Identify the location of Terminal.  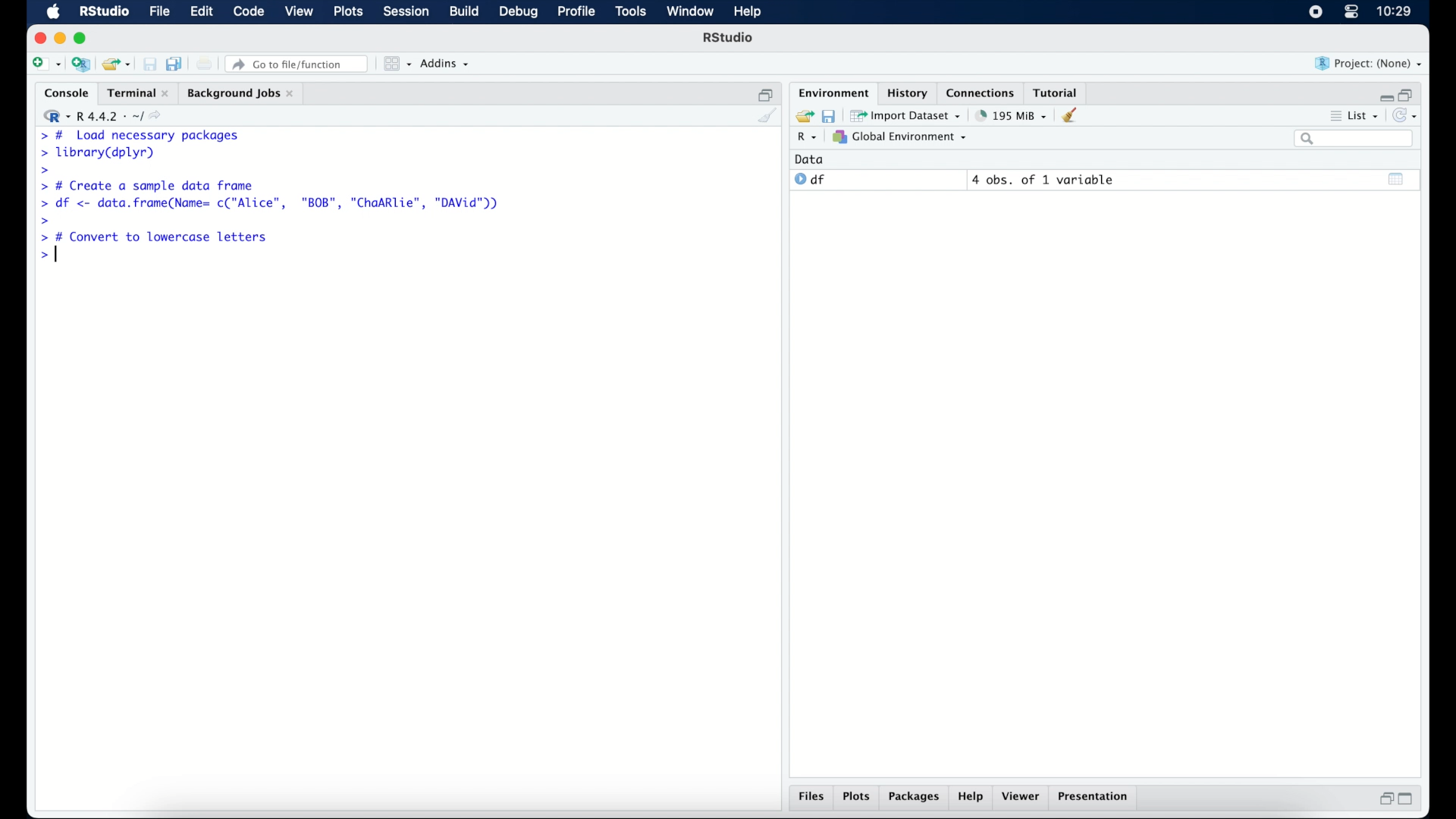
(133, 93).